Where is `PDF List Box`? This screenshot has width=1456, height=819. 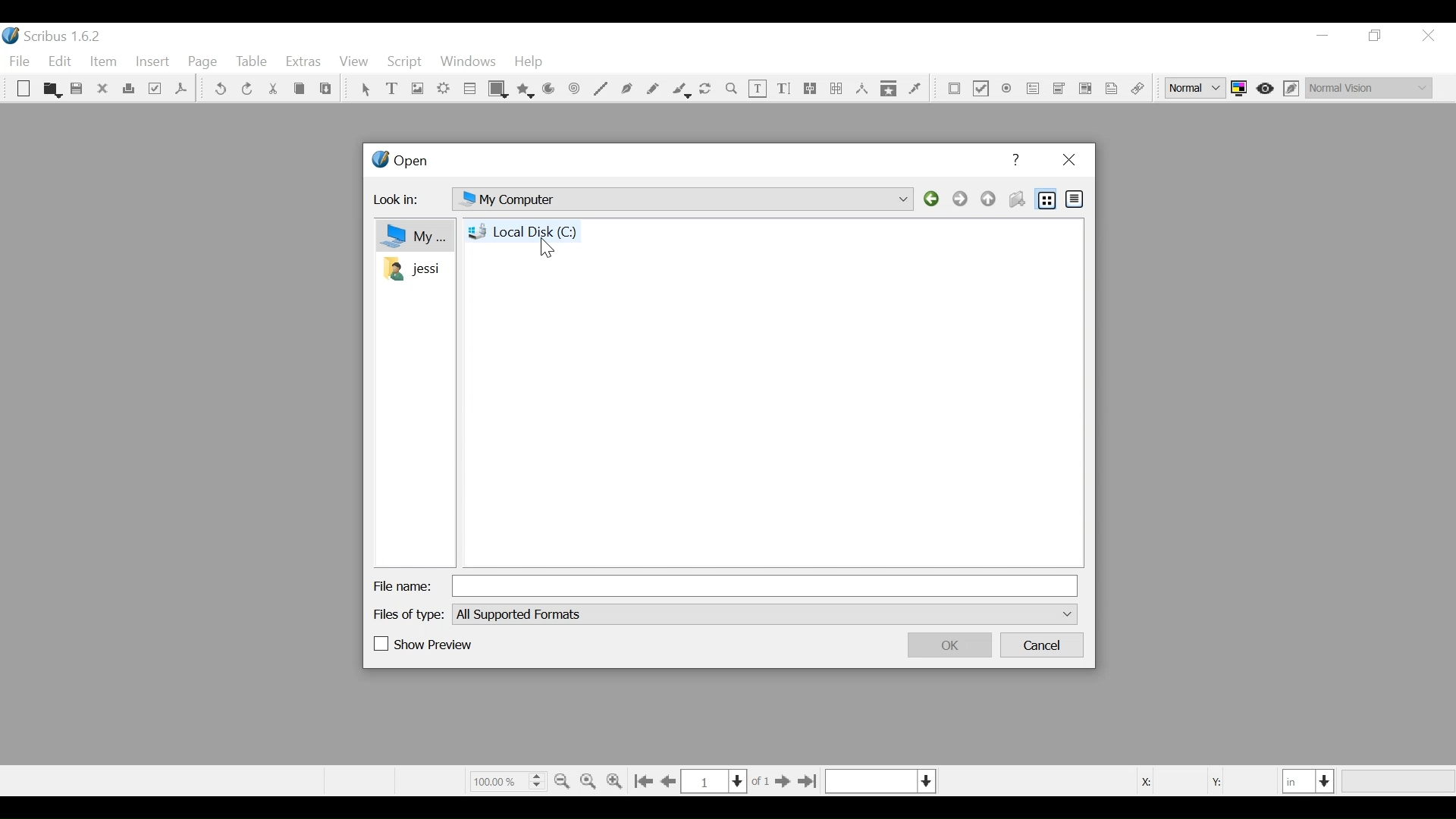 PDF List Box is located at coordinates (1059, 89).